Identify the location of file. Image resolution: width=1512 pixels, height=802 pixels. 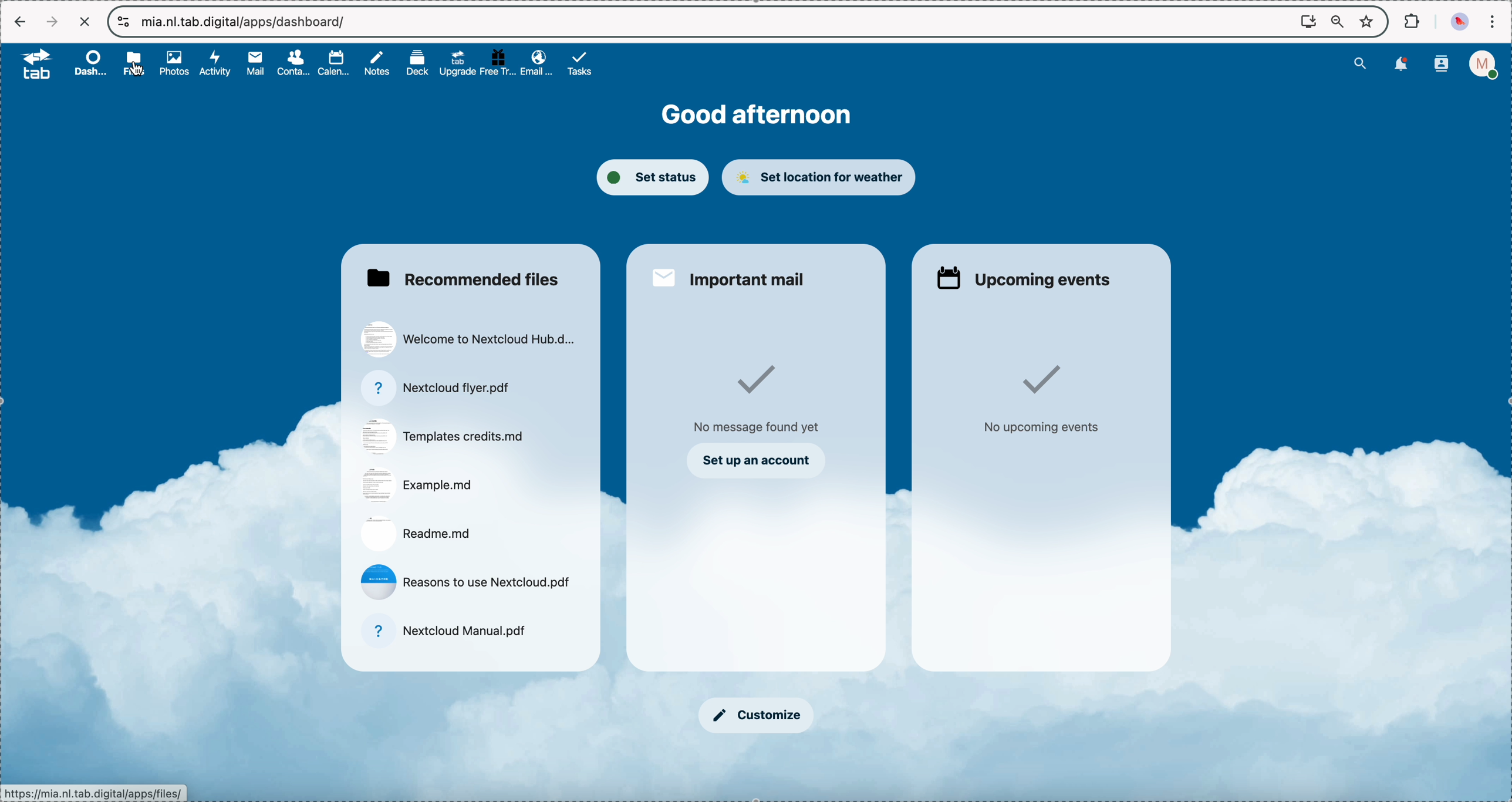
(437, 387).